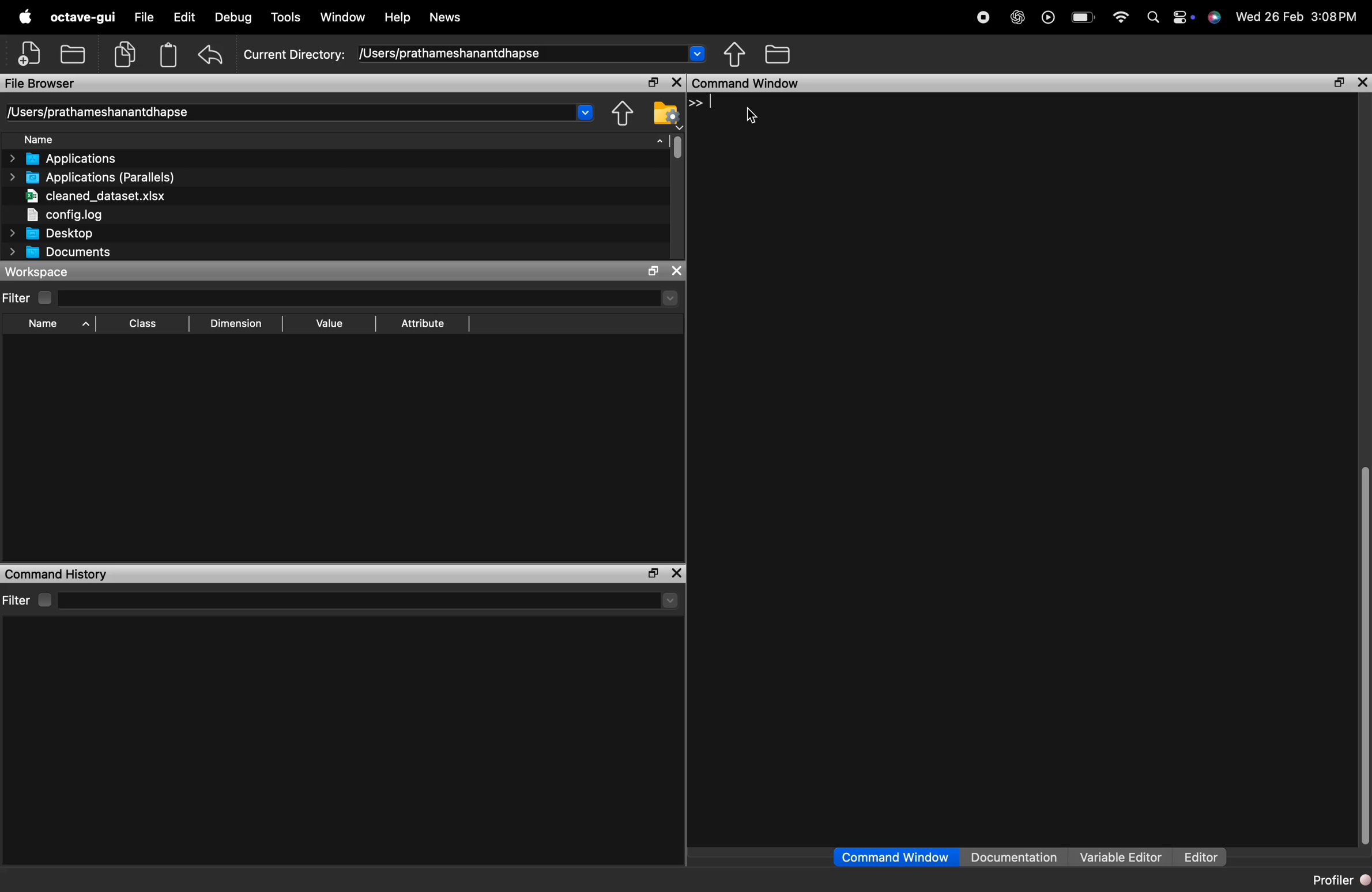 This screenshot has height=892, width=1372. Describe the element at coordinates (235, 322) in the screenshot. I see `Dimension` at that location.